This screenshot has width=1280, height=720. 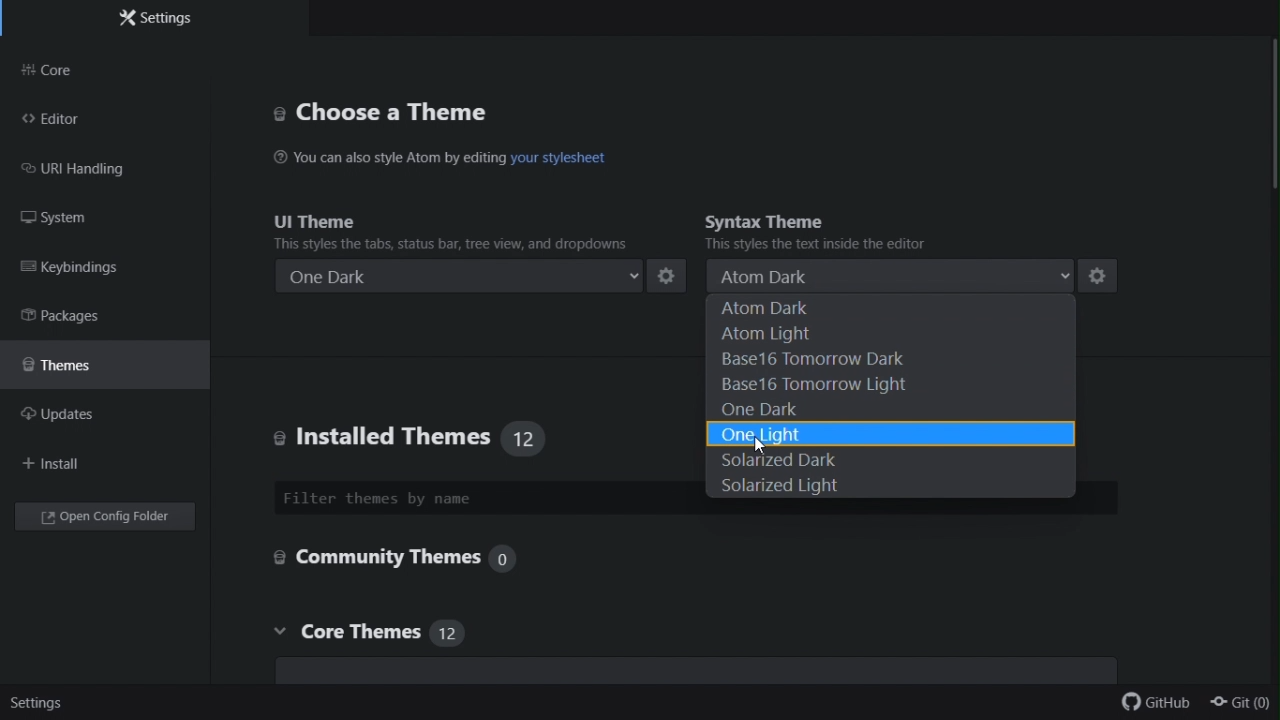 I want to click on FREE TRIAL EXPIREDsystem, so click(x=60, y=214).